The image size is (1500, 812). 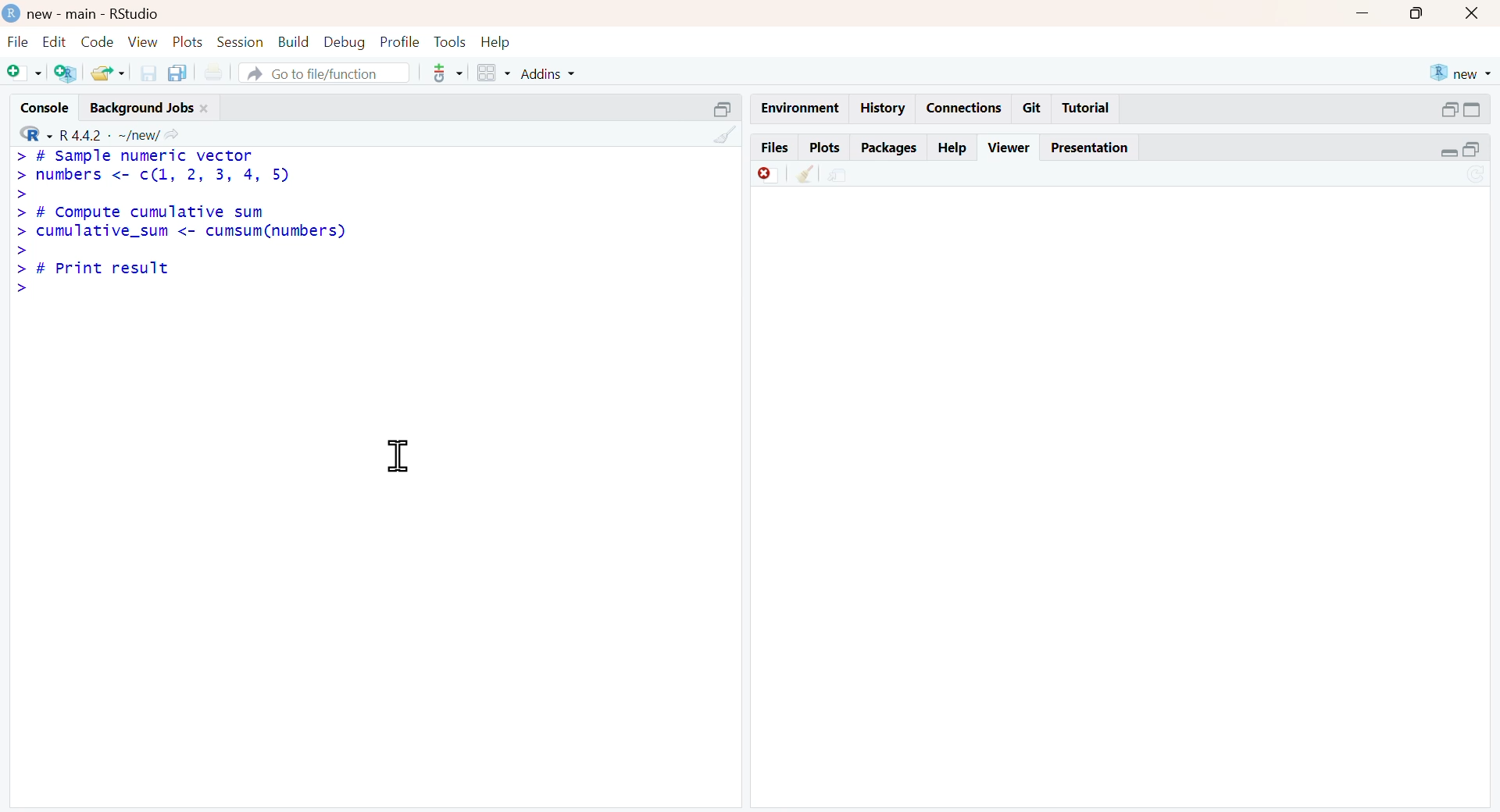 I want to click on open in separate window, so click(x=1448, y=109).